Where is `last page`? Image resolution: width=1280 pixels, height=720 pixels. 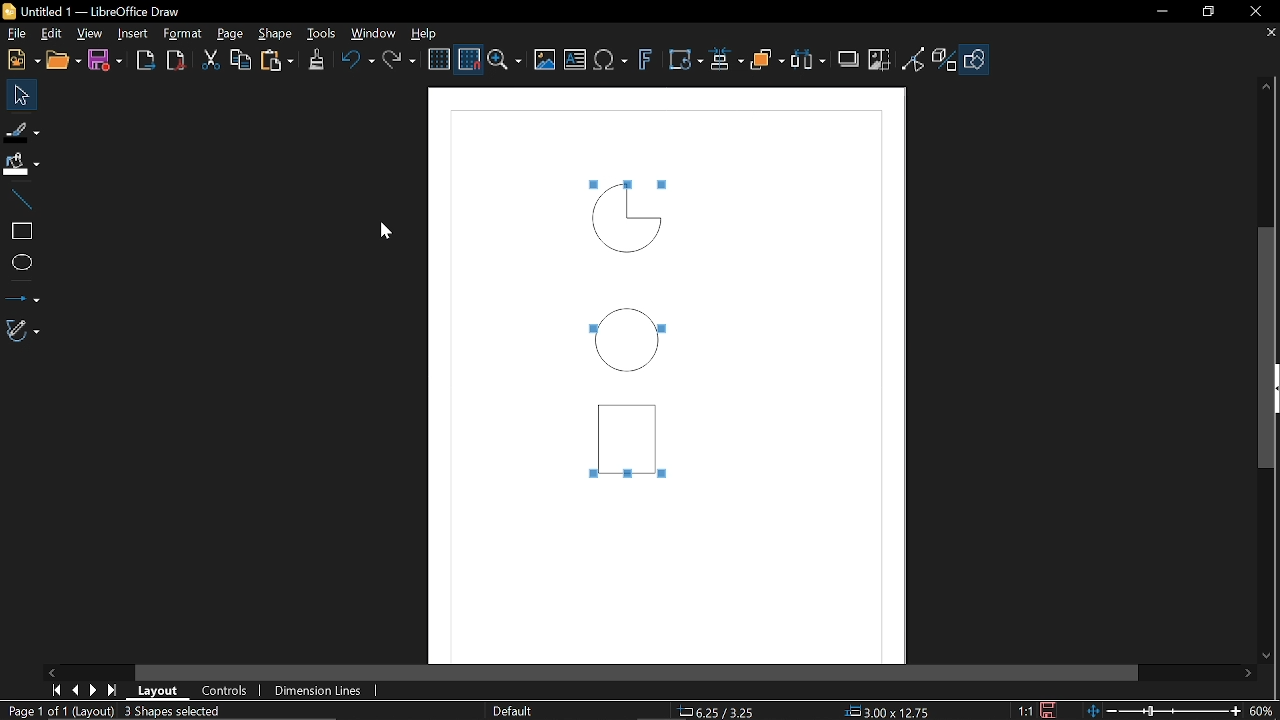
last page is located at coordinates (114, 690).